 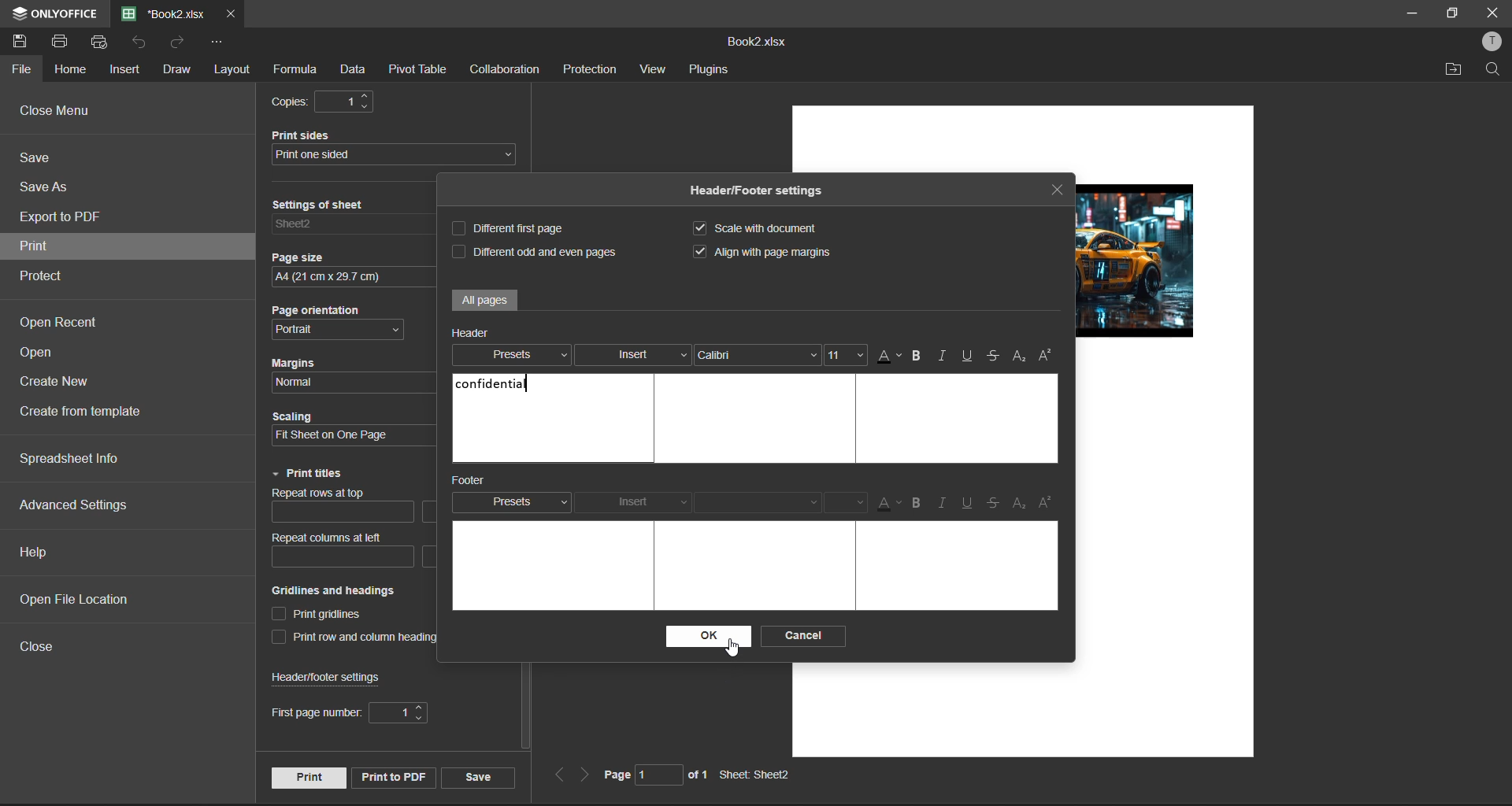 I want to click on home, so click(x=73, y=68).